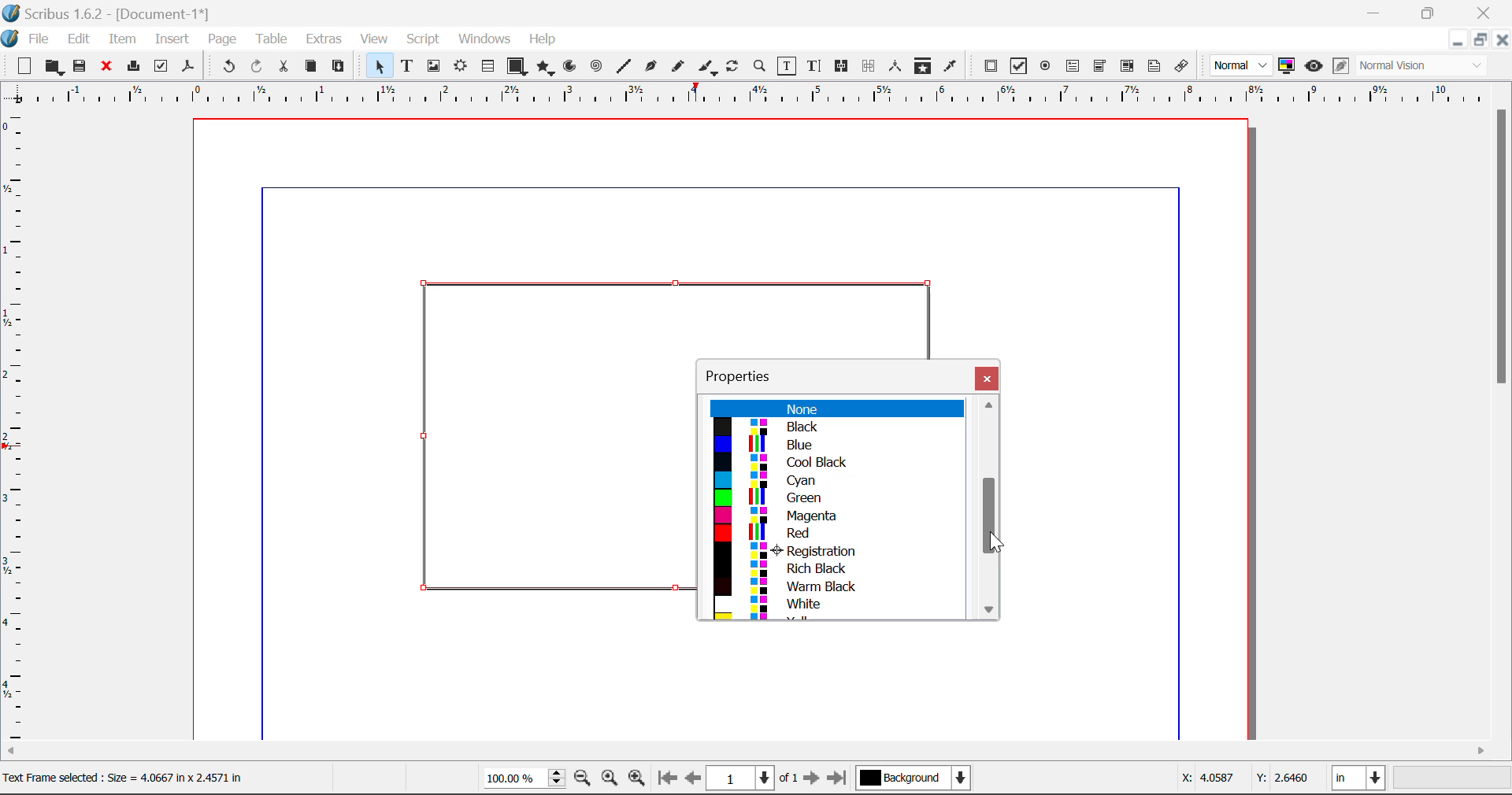 This screenshot has height=795, width=1512. Describe the element at coordinates (1428, 66) in the screenshot. I see `Display Visual Appearance` at that location.